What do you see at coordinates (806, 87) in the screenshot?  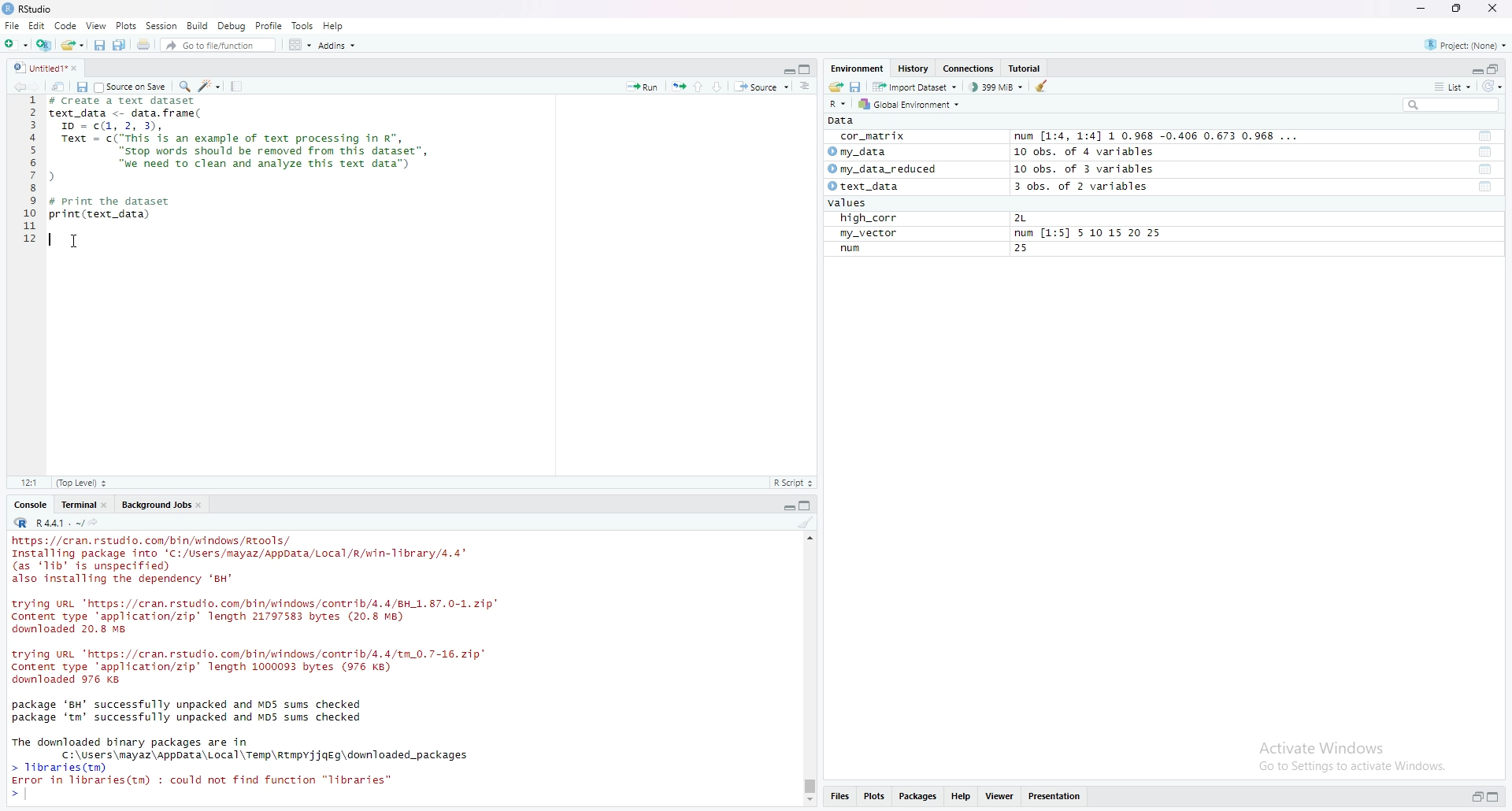 I see `show document online` at bounding box center [806, 87].